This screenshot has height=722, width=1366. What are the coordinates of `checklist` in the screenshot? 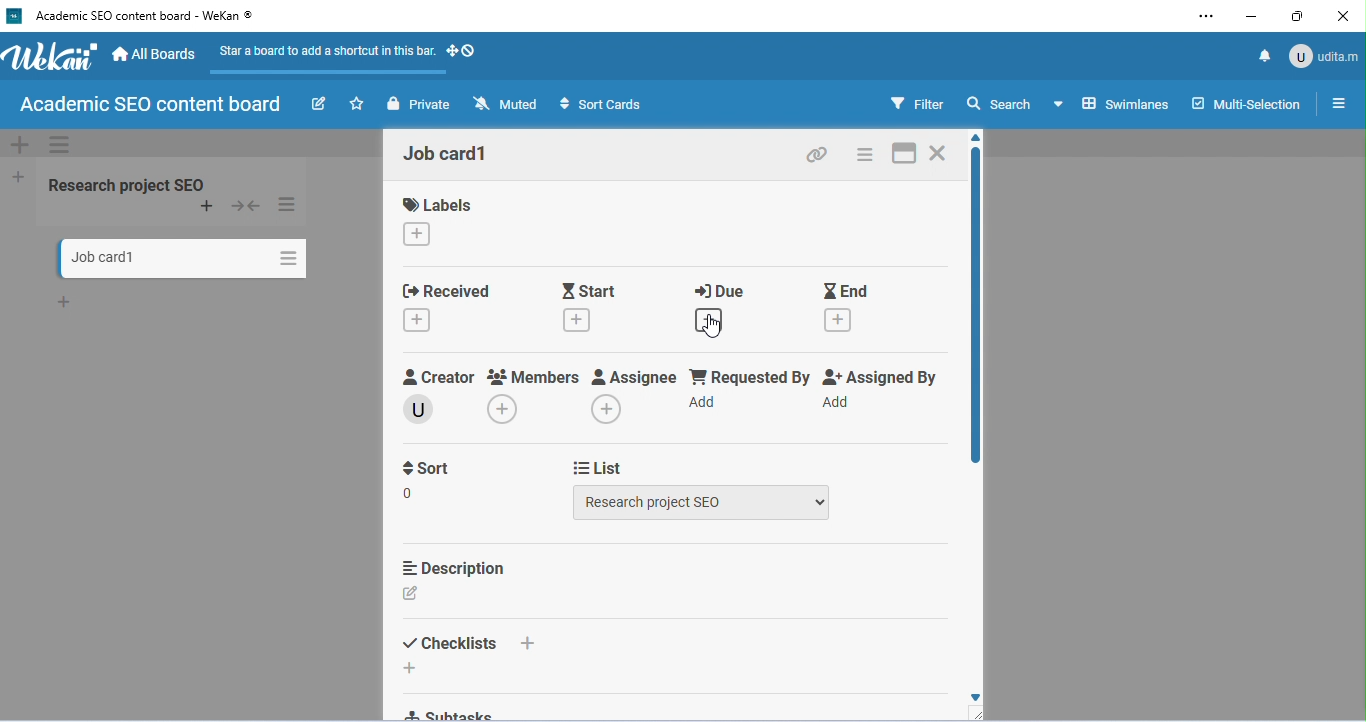 It's located at (449, 643).